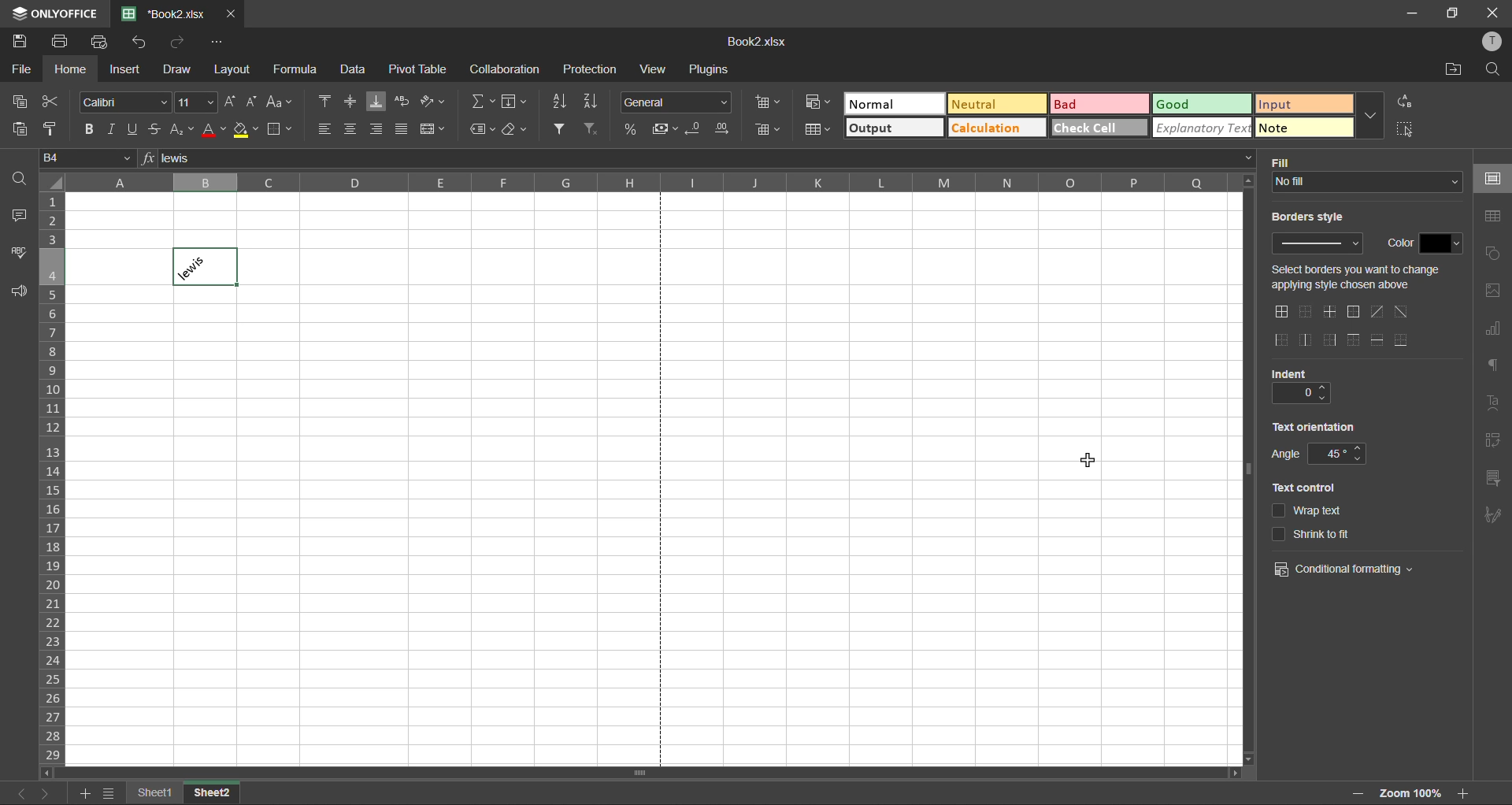  Describe the element at coordinates (516, 102) in the screenshot. I see `fields` at that location.